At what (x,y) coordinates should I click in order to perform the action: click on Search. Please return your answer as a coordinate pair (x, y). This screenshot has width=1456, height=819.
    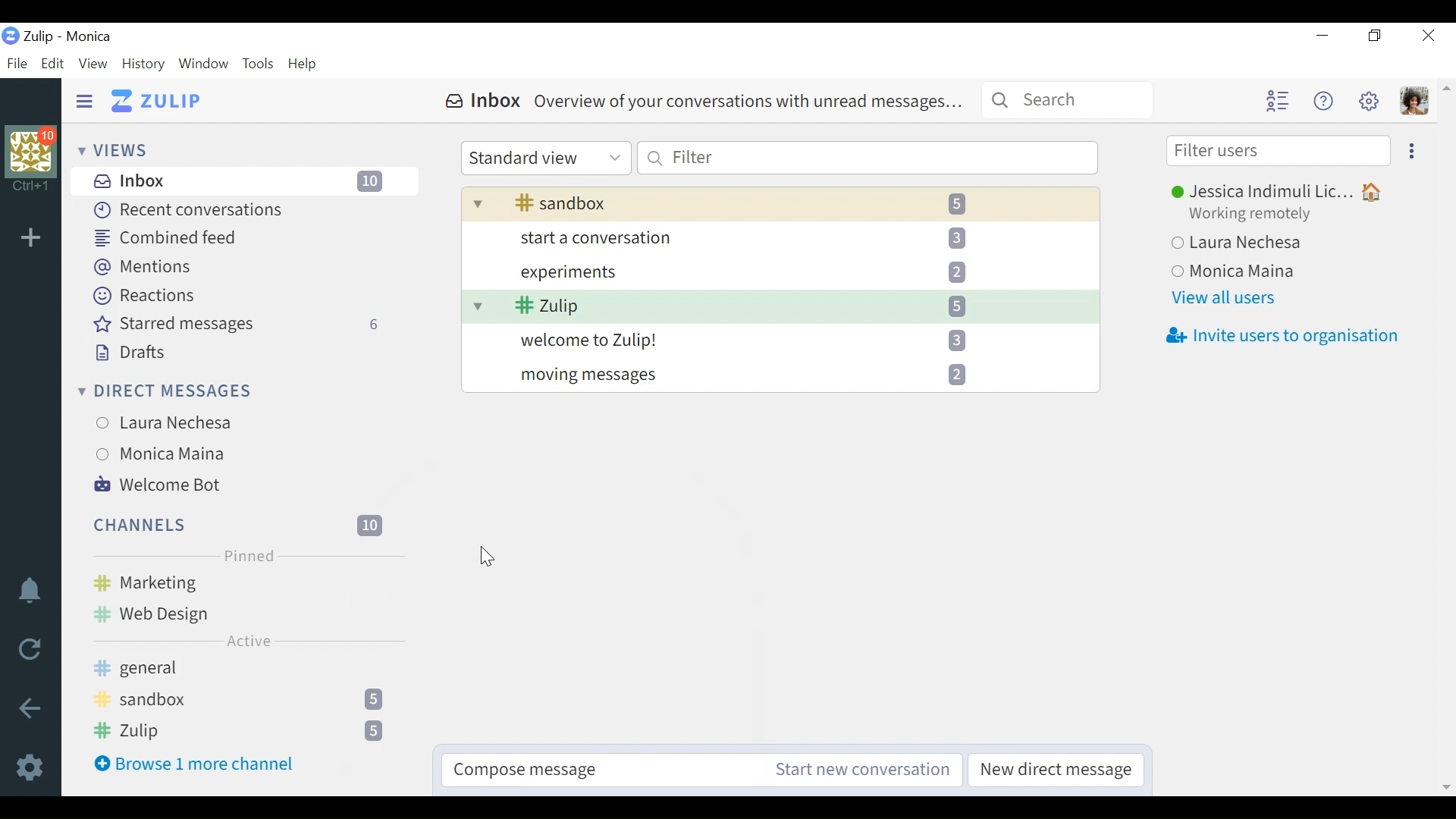
    Looking at the image, I should click on (1068, 99).